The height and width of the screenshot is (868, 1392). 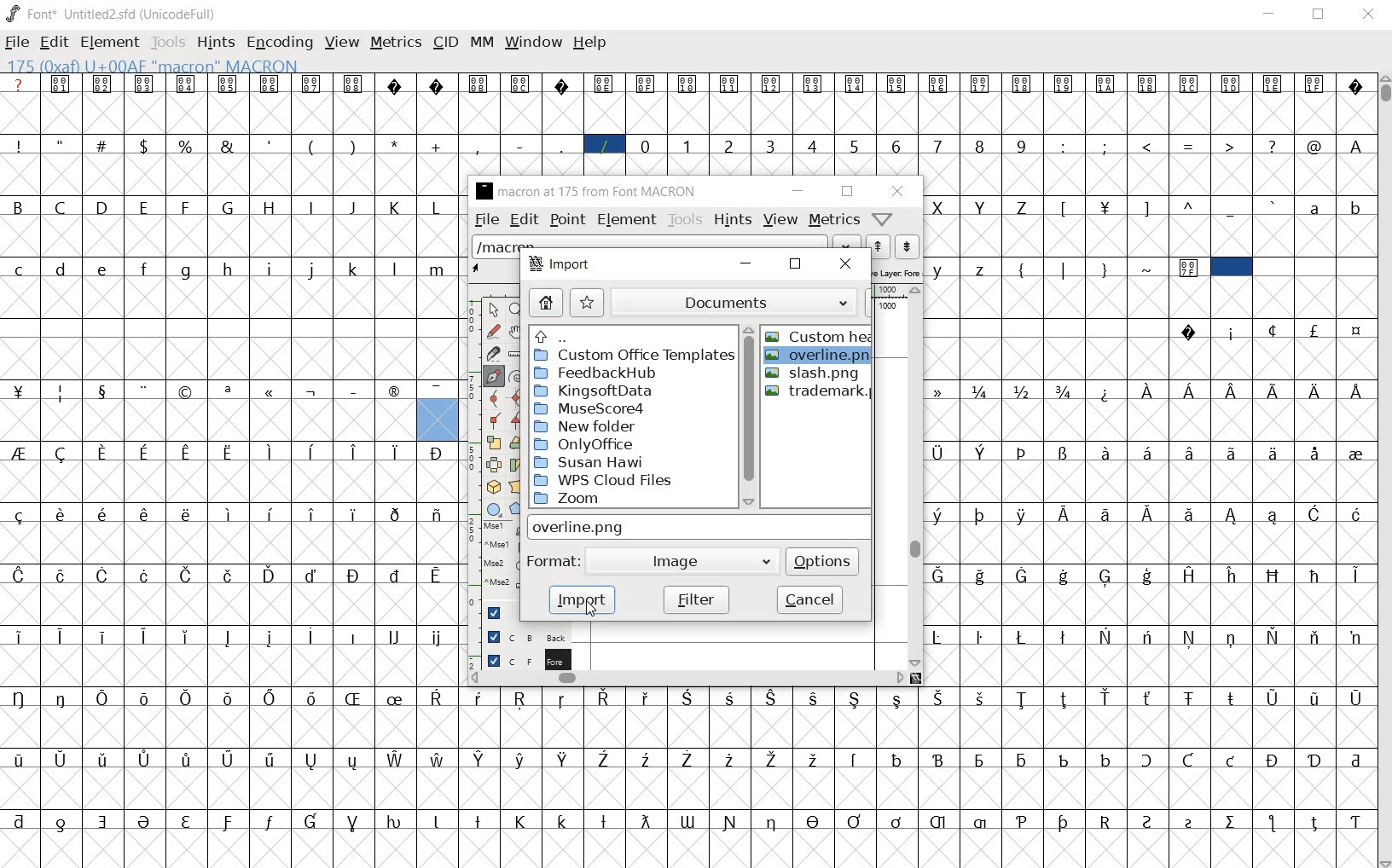 What do you see at coordinates (1354, 207) in the screenshot?
I see `b` at bounding box center [1354, 207].